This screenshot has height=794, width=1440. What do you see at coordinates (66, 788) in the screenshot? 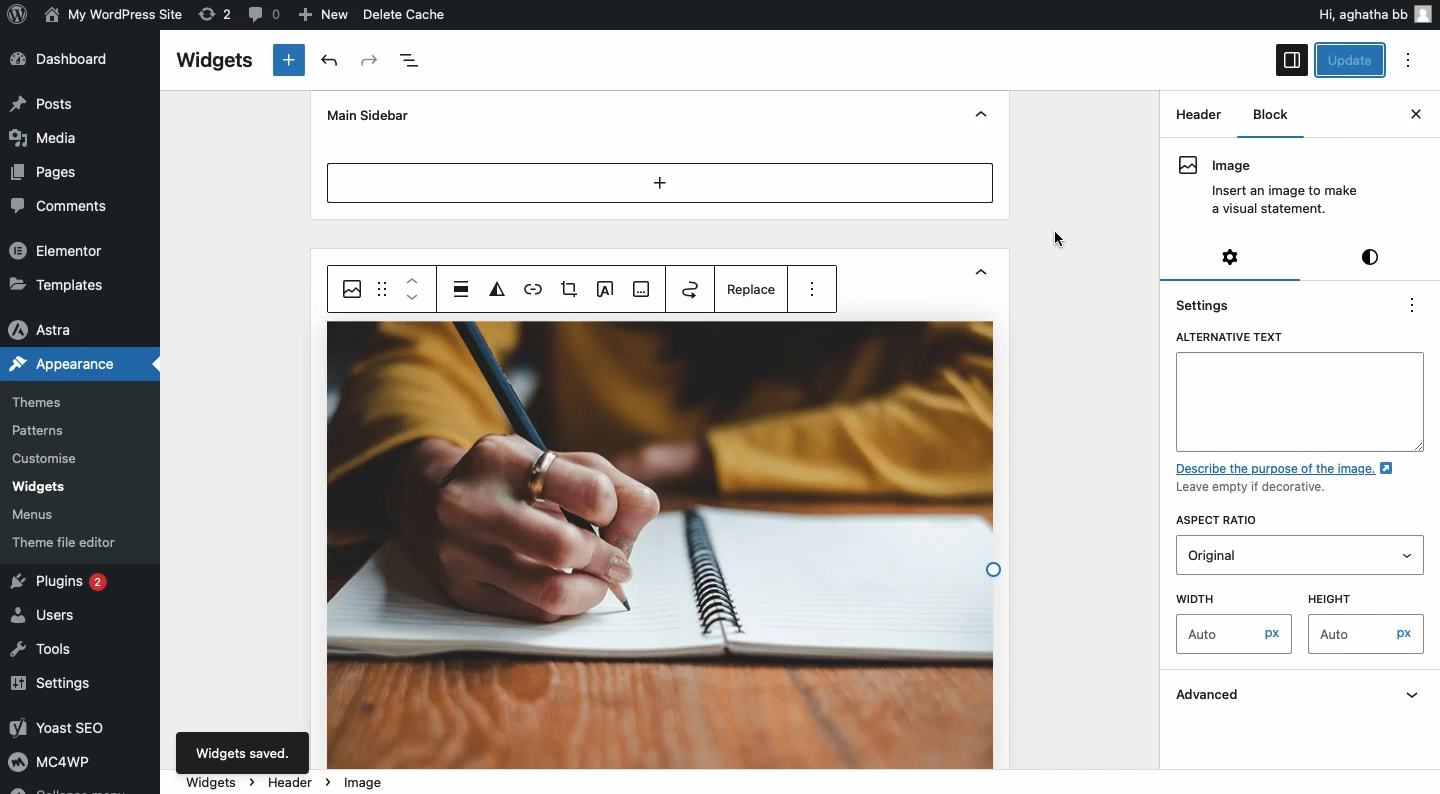
I see `Collapse menu` at bounding box center [66, 788].